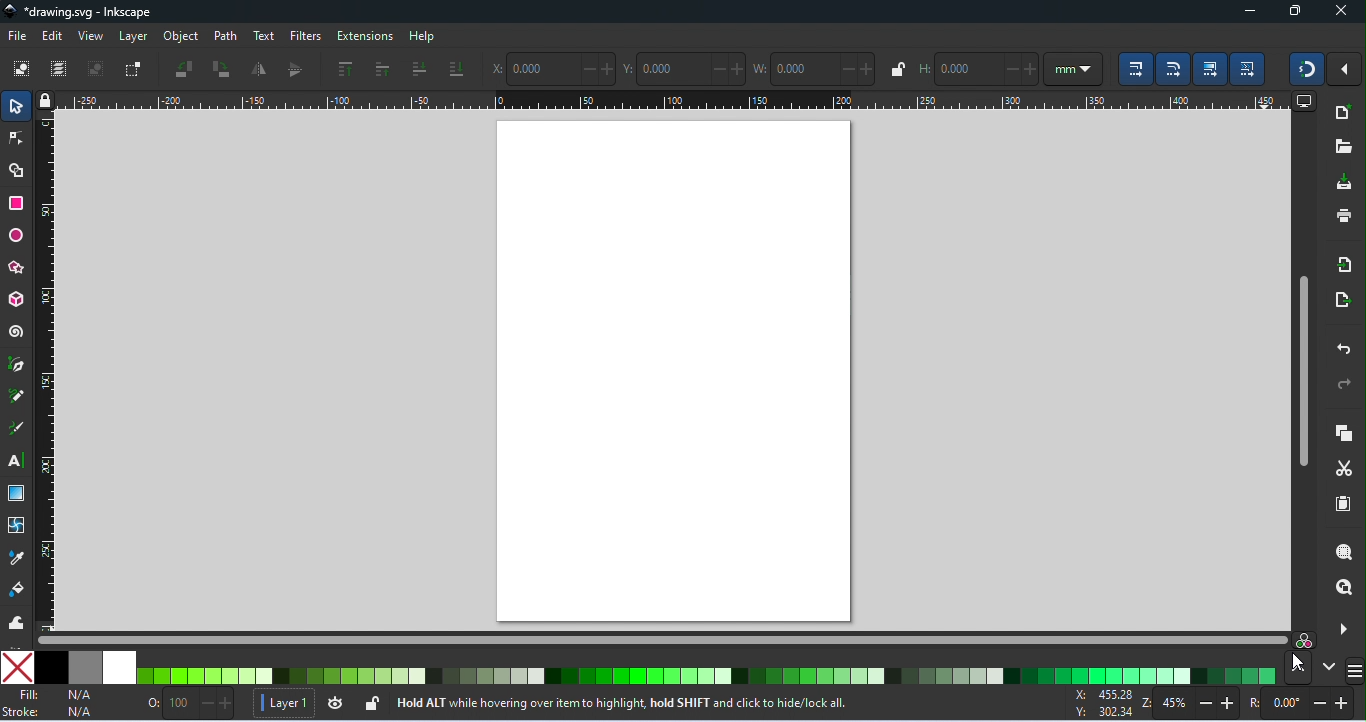 Image resolution: width=1366 pixels, height=722 pixels. Describe the element at coordinates (686, 67) in the screenshot. I see `vertical coordinates` at that location.